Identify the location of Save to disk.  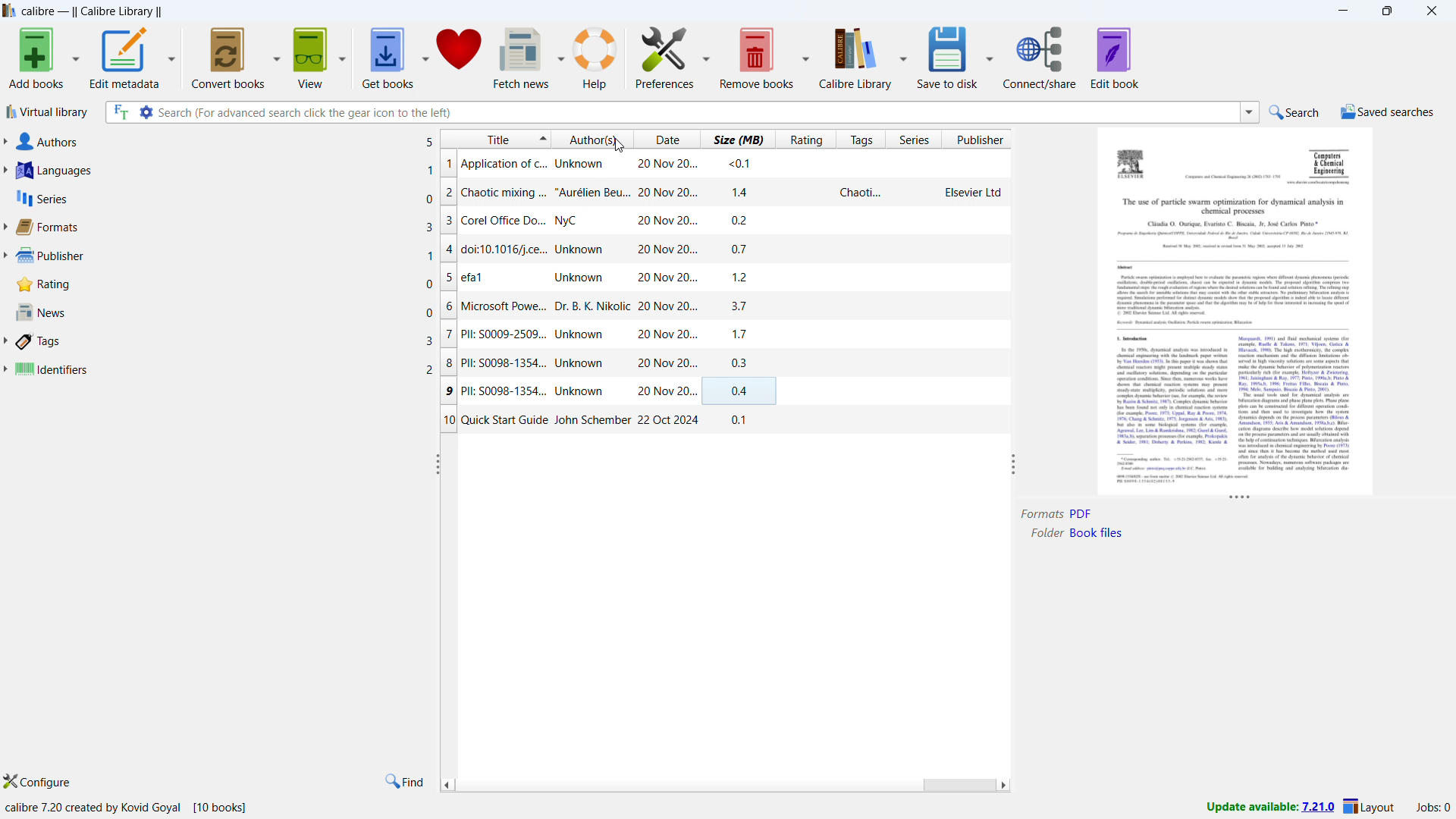
(948, 57).